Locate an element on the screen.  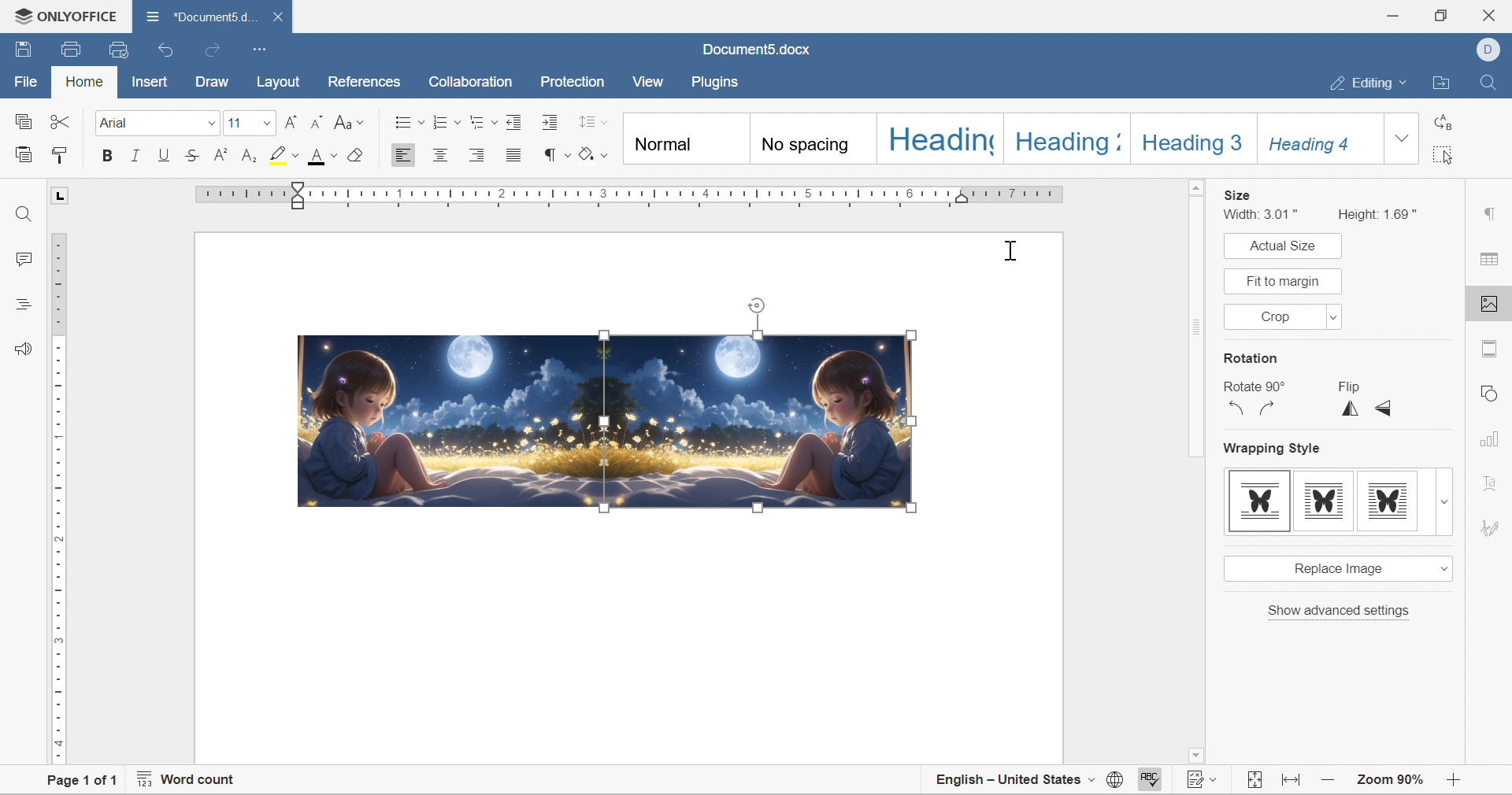
undo is located at coordinates (167, 50).